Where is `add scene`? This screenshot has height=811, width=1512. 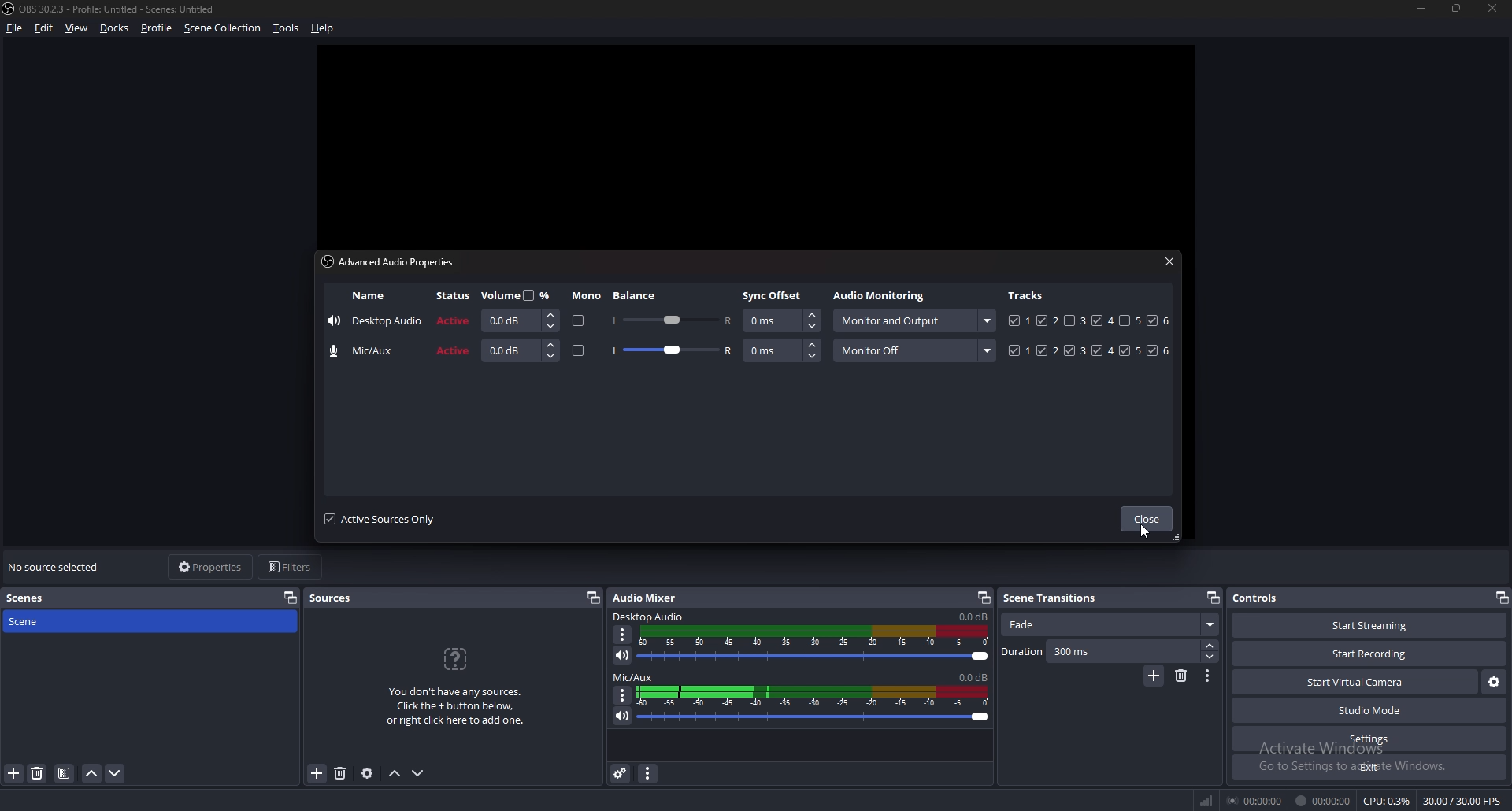
add scene is located at coordinates (1154, 676).